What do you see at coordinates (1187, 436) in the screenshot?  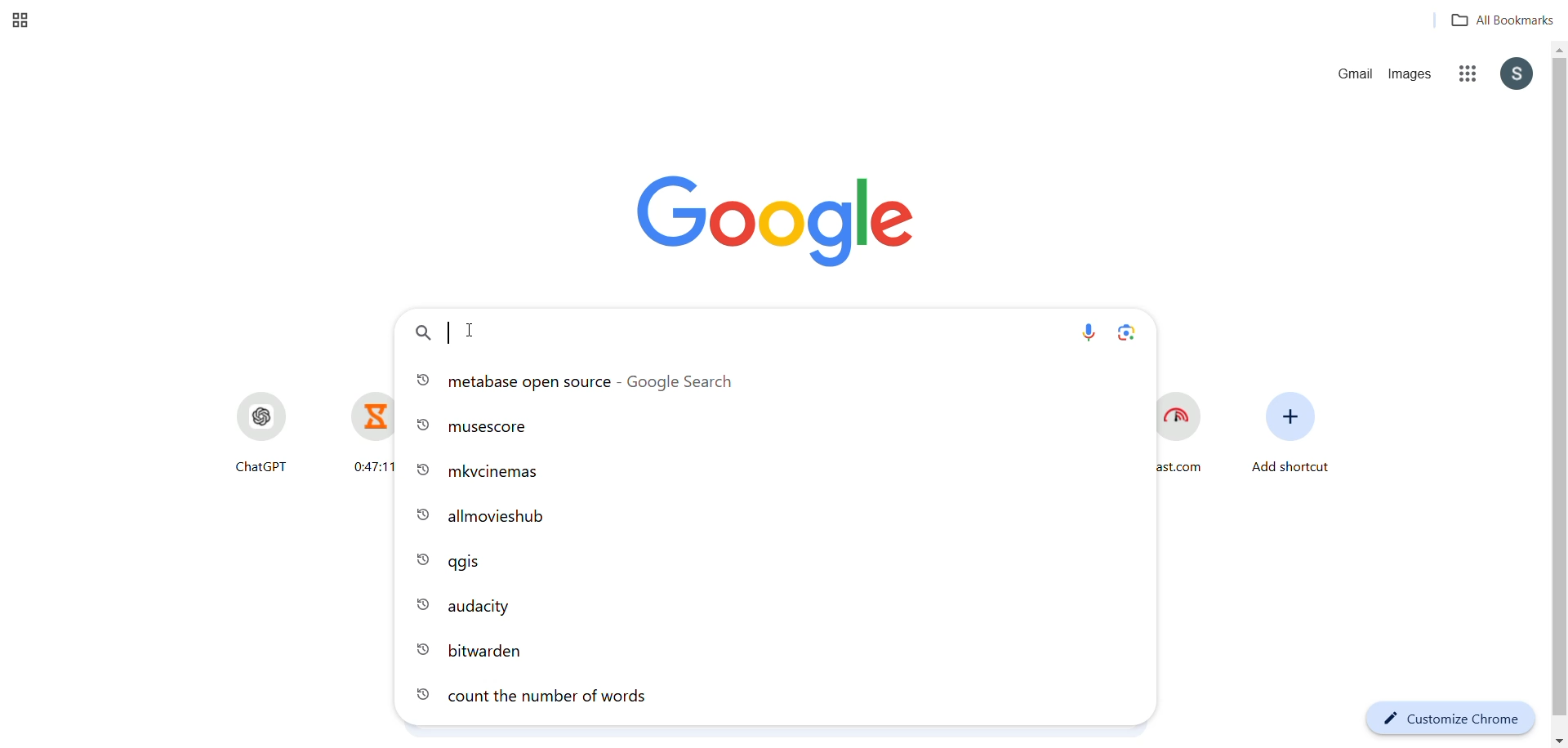 I see `Fast.com` at bounding box center [1187, 436].